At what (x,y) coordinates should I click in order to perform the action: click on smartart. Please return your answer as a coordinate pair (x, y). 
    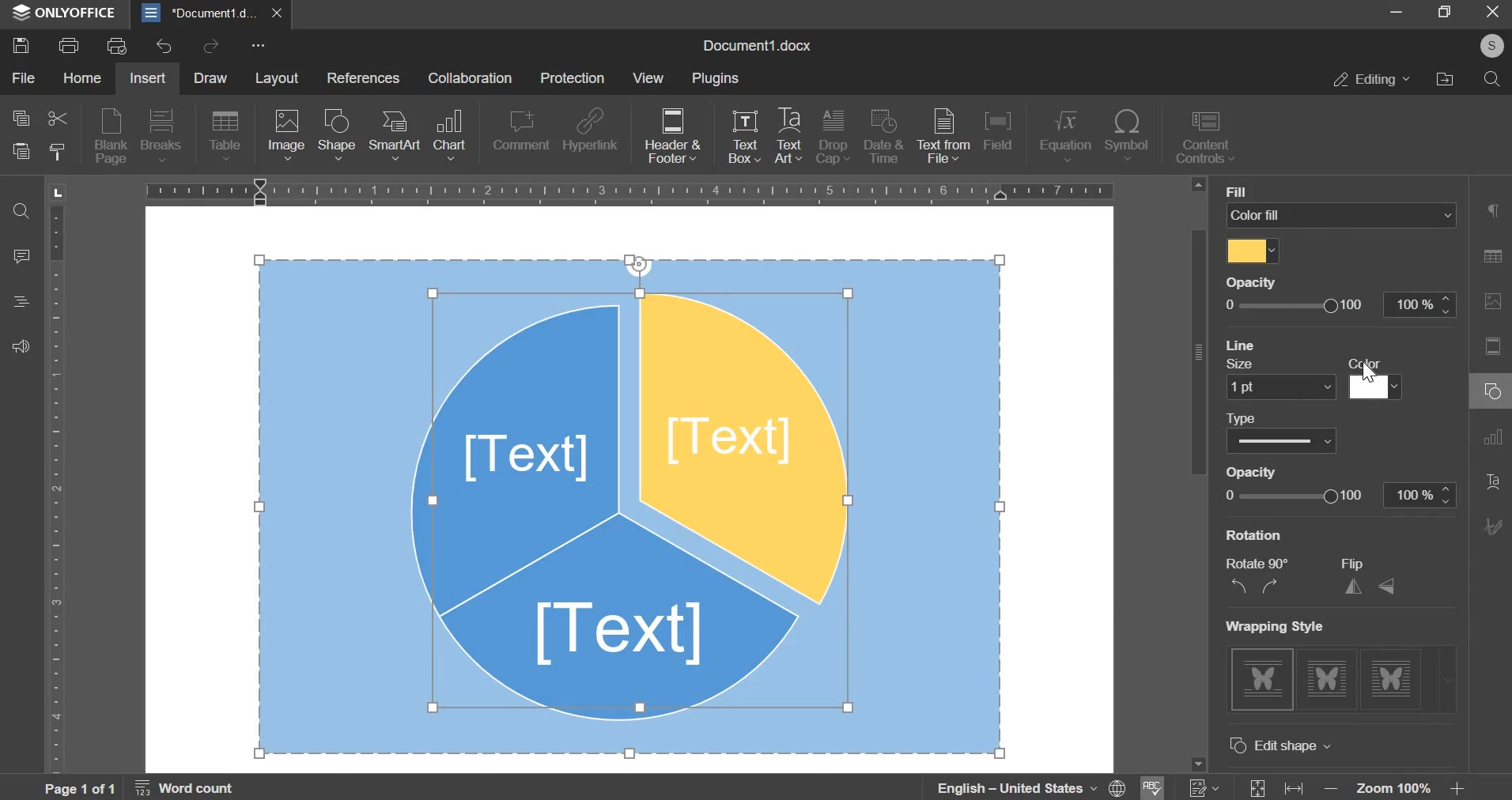
    Looking at the image, I should click on (395, 134).